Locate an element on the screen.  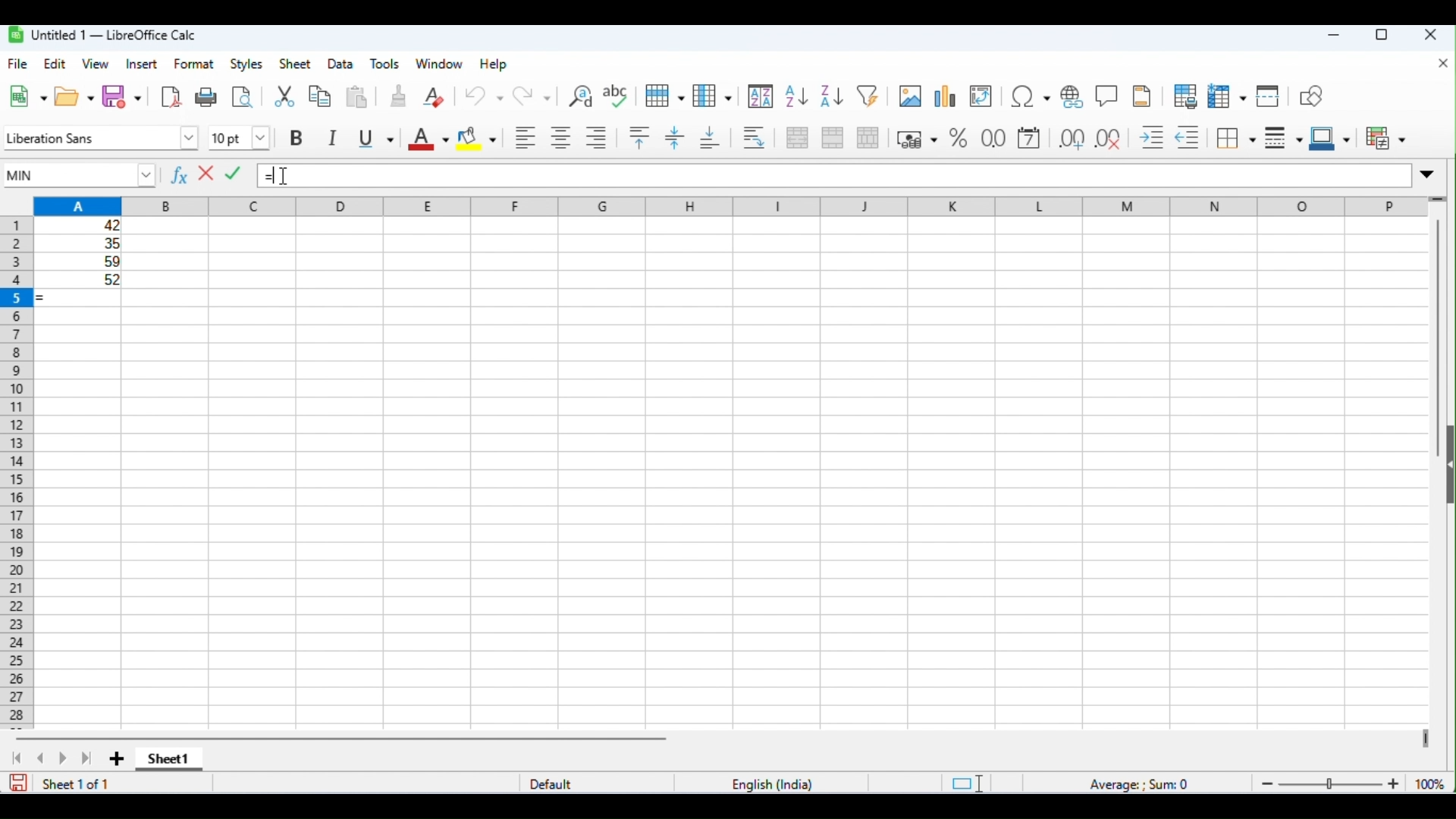
format as currency is located at coordinates (918, 137).